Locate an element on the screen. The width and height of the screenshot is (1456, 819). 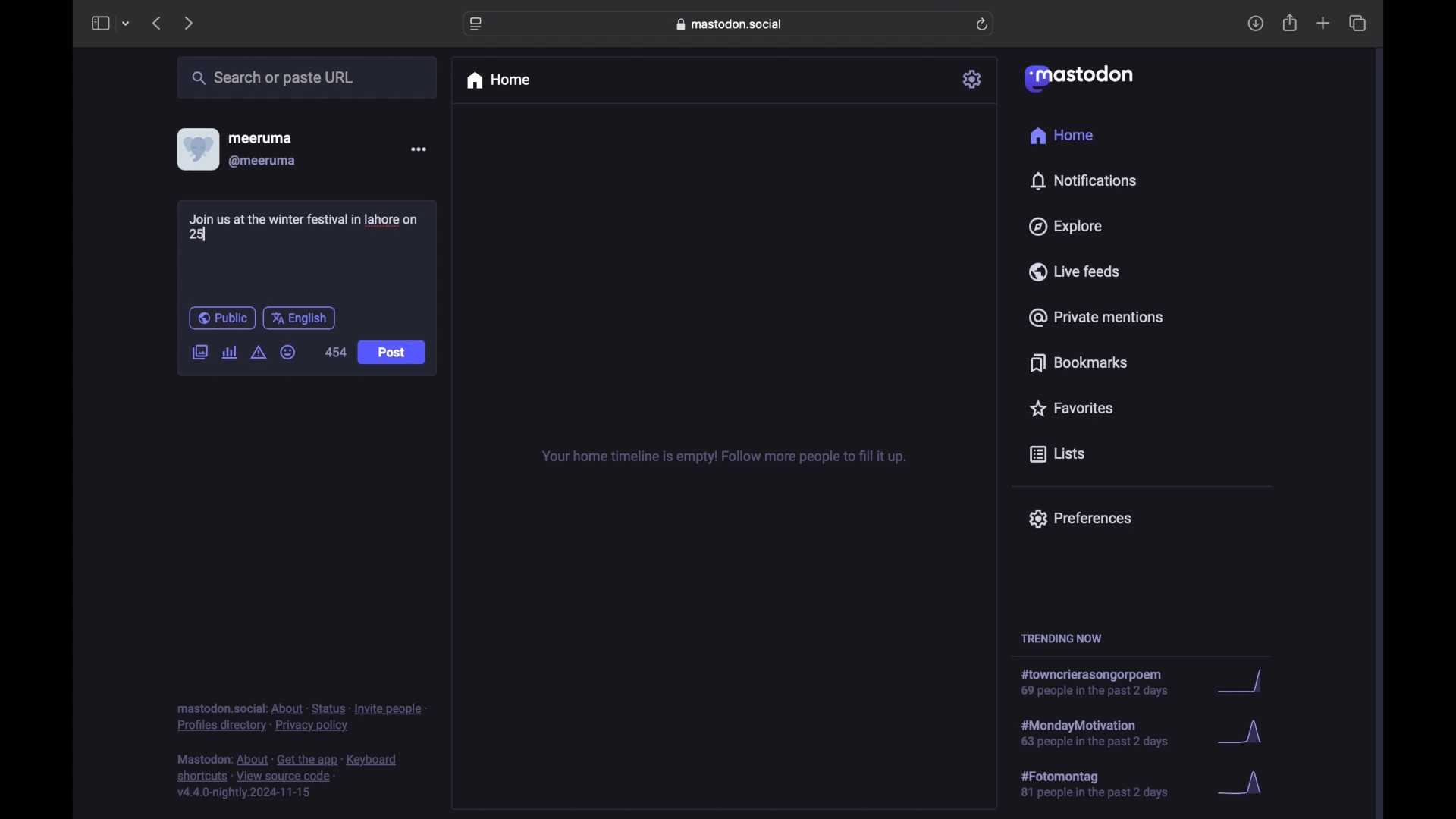
bookmarks is located at coordinates (1078, 362).